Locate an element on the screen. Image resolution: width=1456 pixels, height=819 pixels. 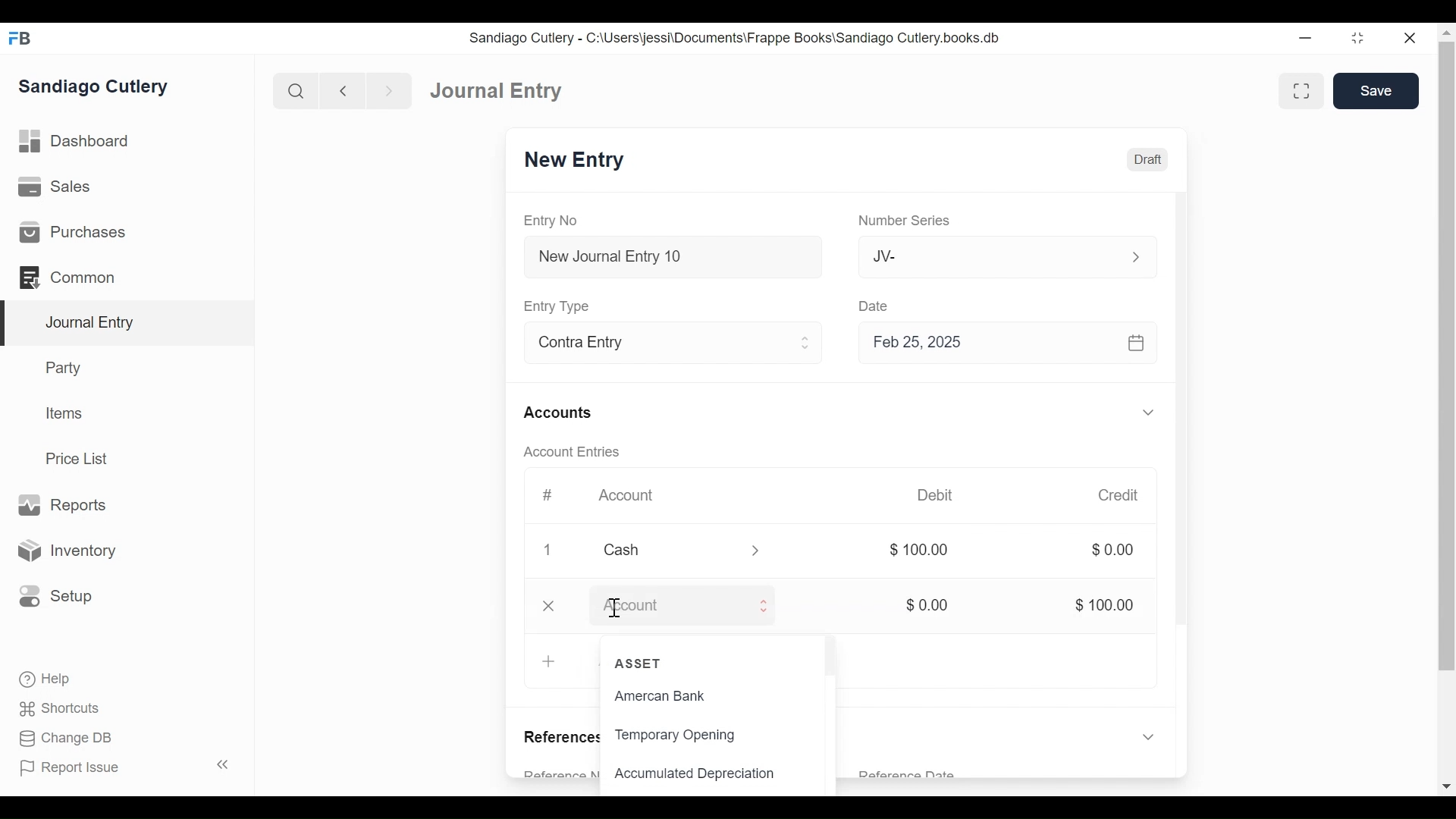
scroll down  is located at coordinates (1447, 784).